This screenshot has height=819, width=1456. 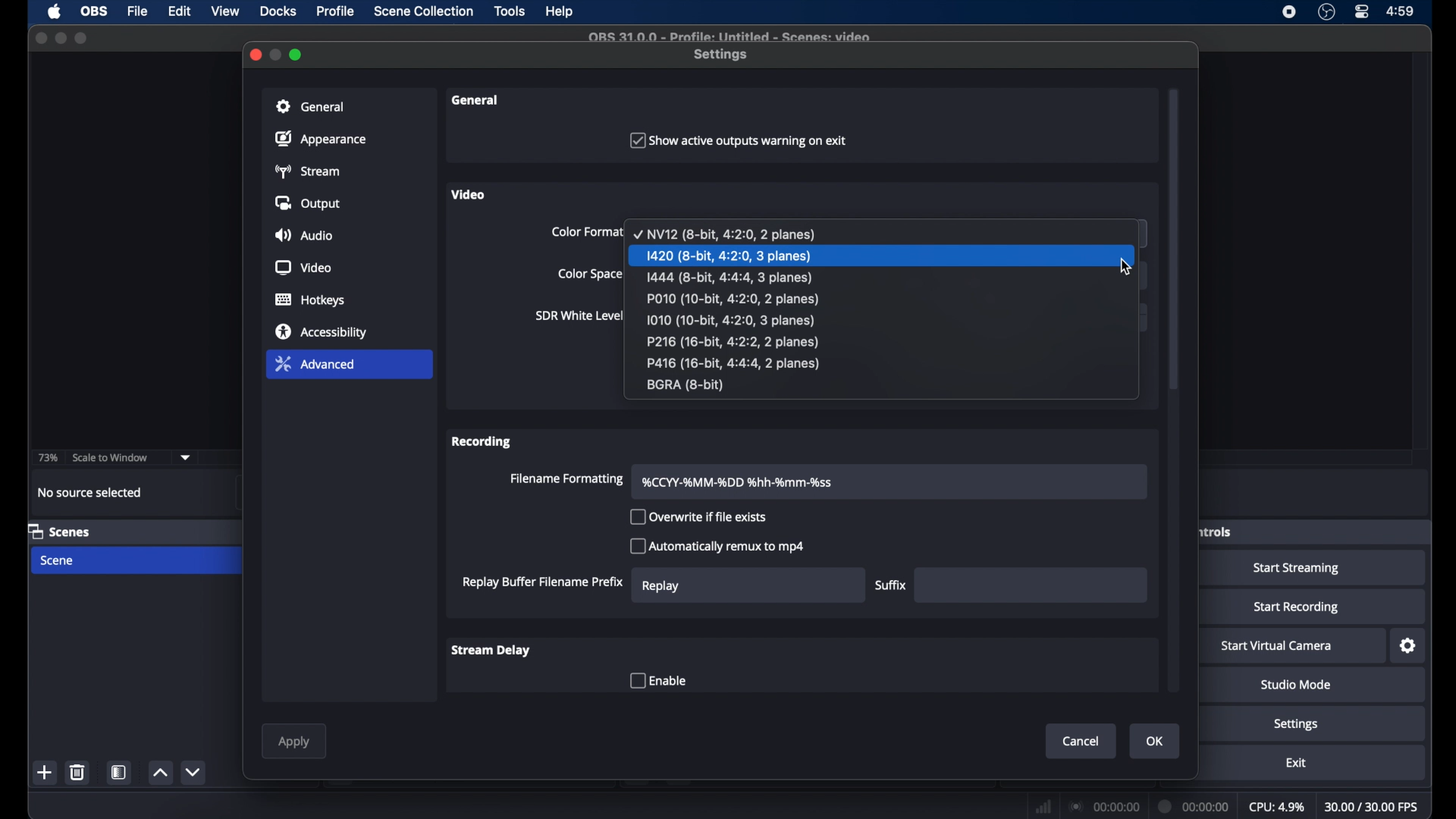 I want to click on maximize, so click(x=297, y=55).